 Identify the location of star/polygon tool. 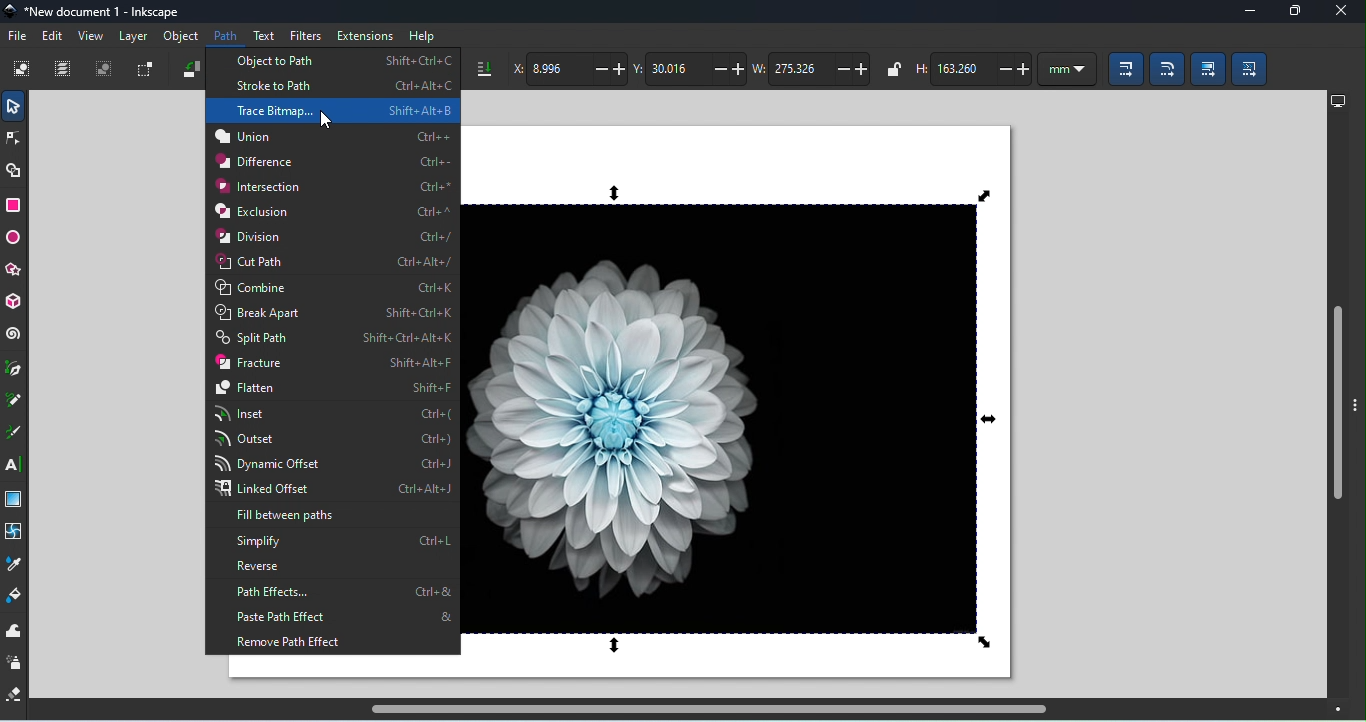
(13, 272).